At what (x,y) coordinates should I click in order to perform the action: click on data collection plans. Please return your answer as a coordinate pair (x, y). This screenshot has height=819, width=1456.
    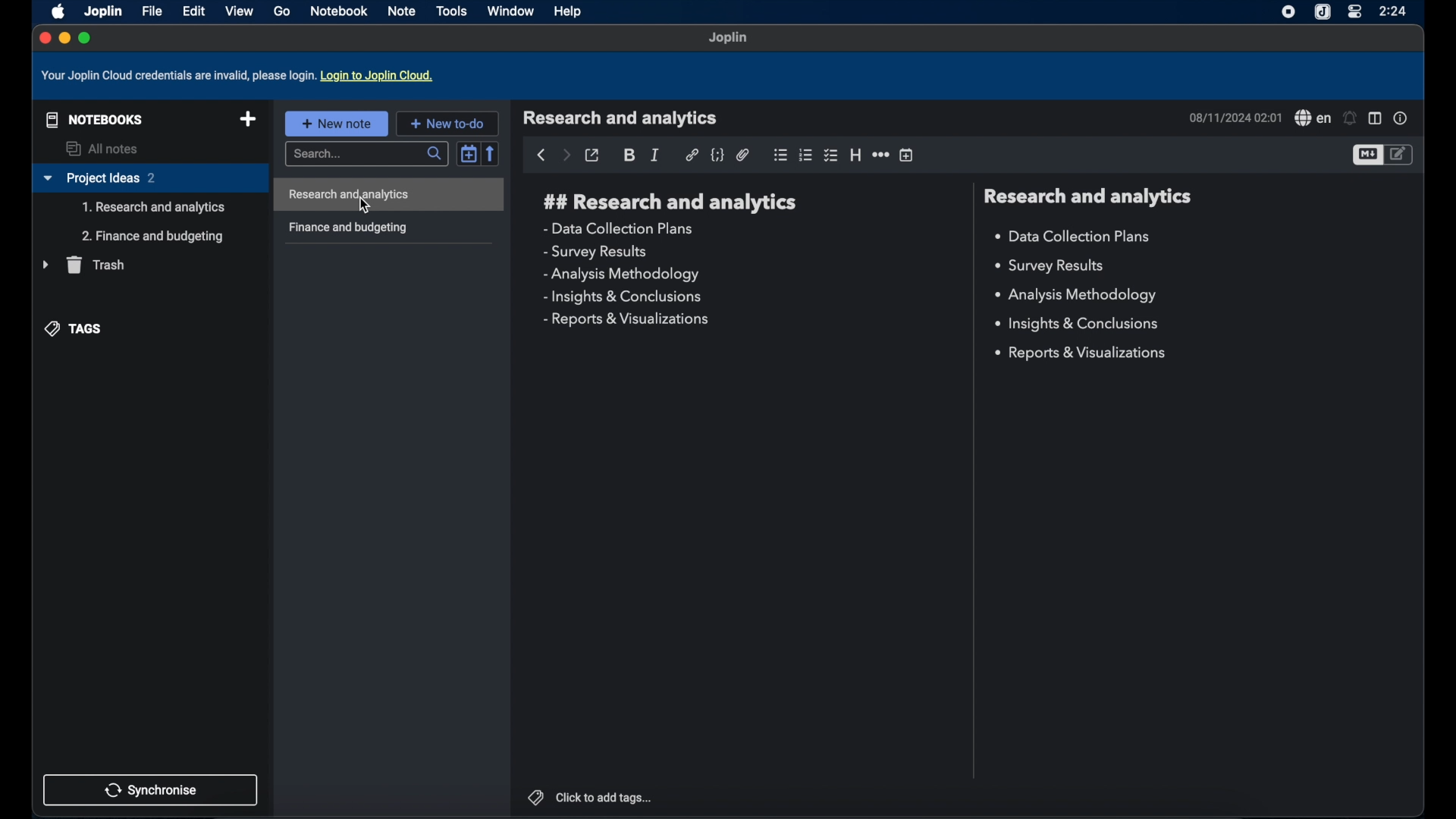
    Looking at the image, I should click on (1075, 237).